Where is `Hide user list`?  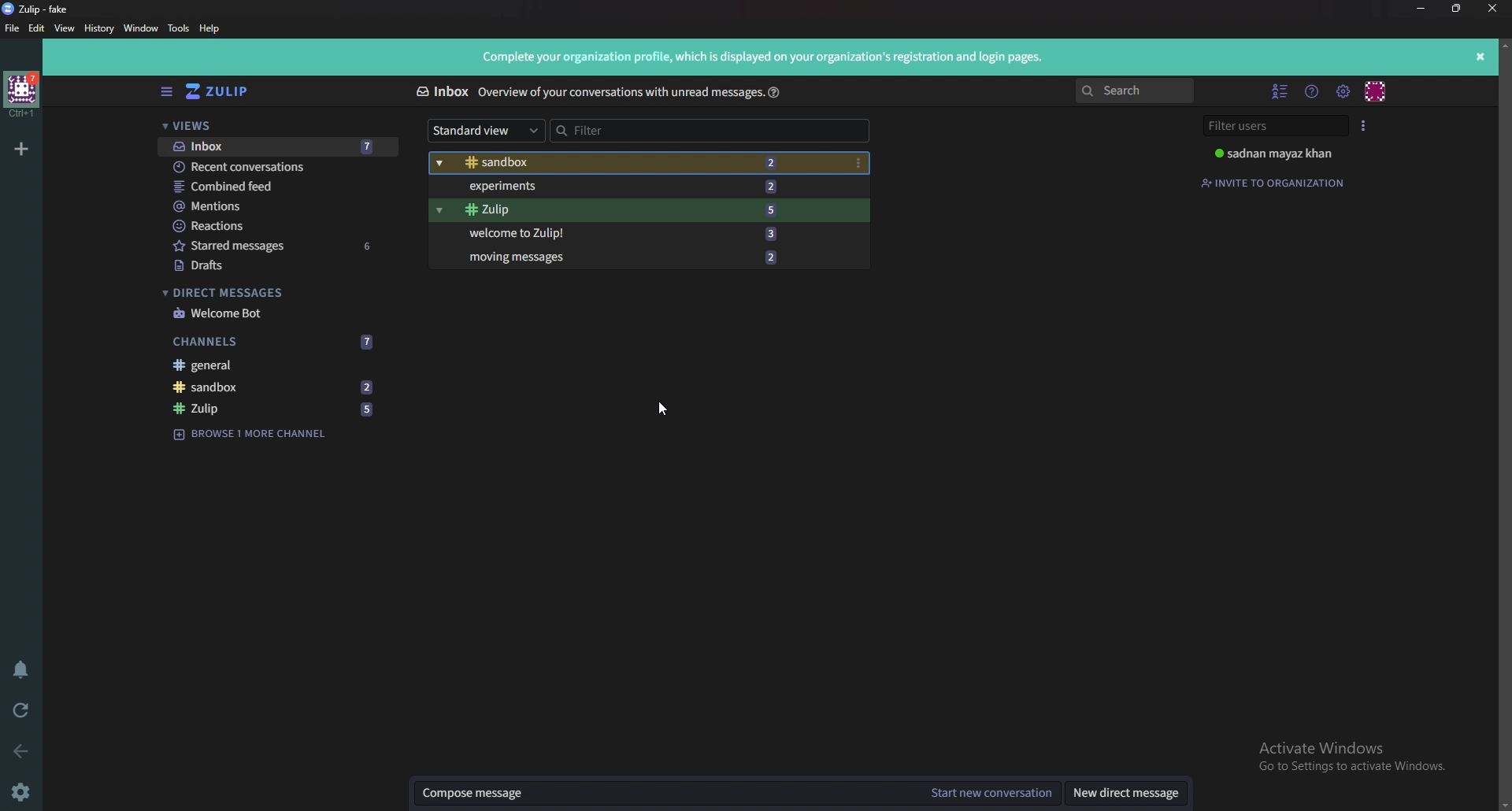
Hide user list is located at coordinates (1280, 92).